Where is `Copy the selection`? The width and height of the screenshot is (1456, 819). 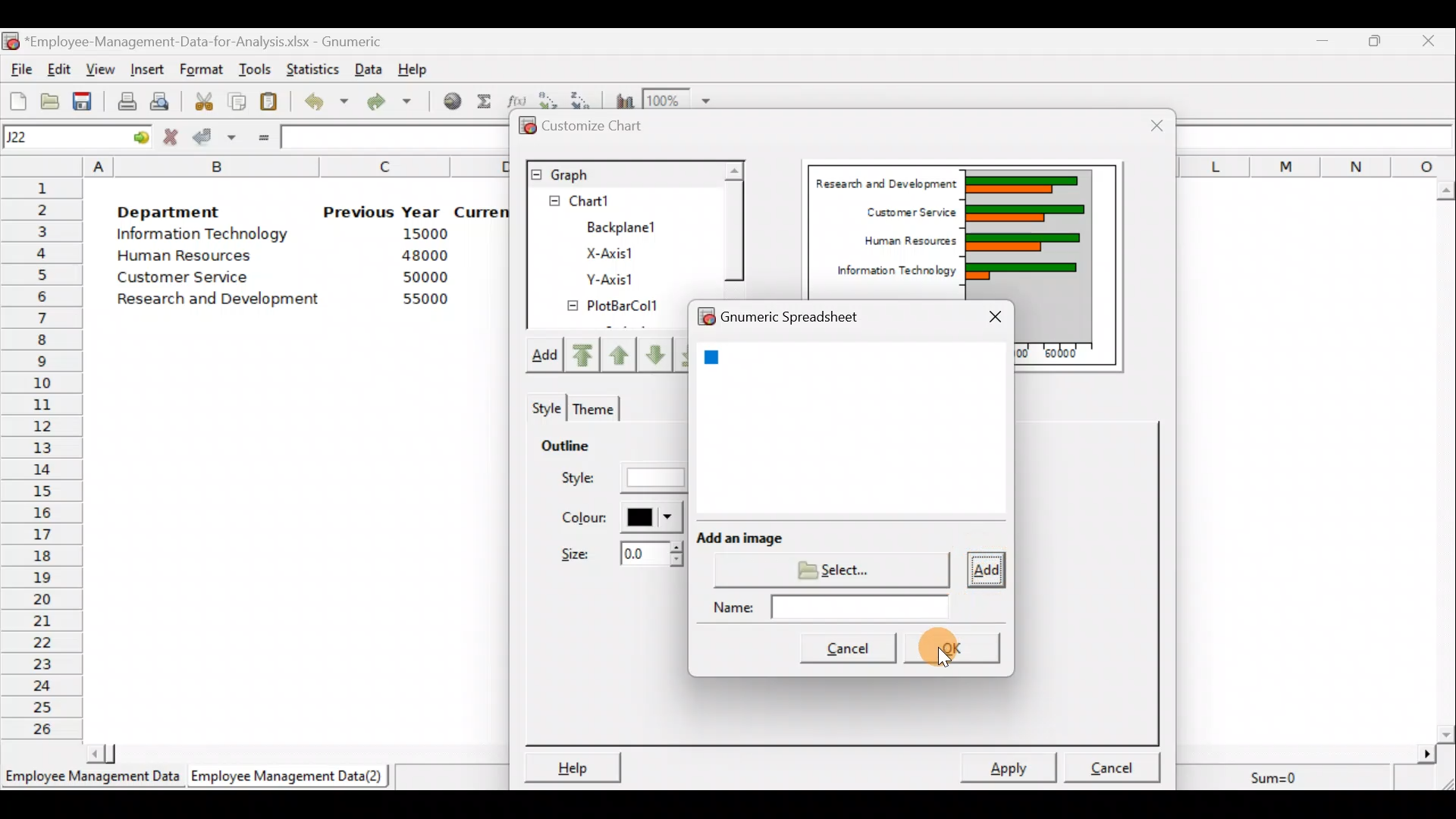 Copy the selection is located at coordinates (241, 102).